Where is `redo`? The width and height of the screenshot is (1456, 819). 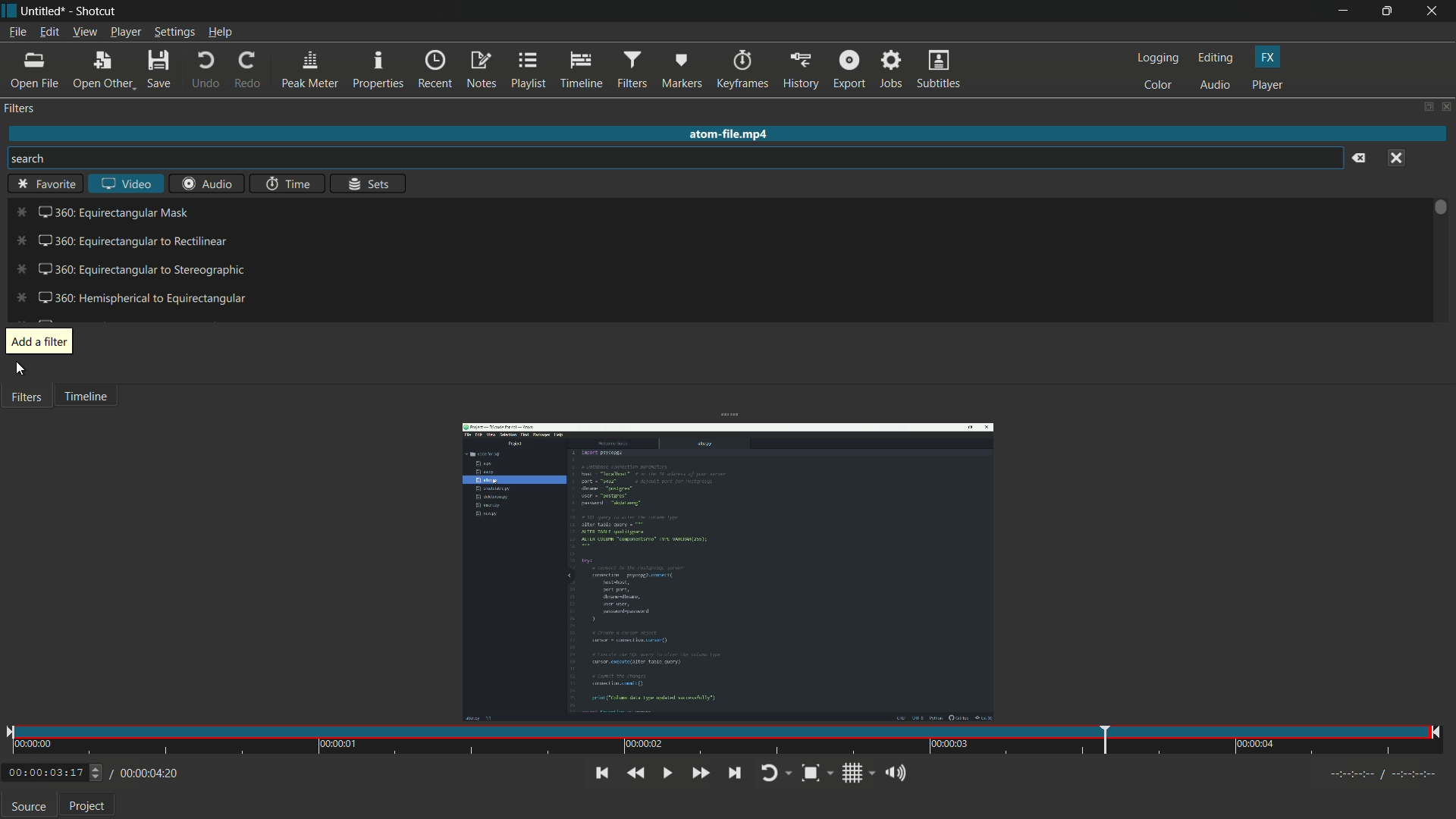 redo is located at coordinates (248, 71).